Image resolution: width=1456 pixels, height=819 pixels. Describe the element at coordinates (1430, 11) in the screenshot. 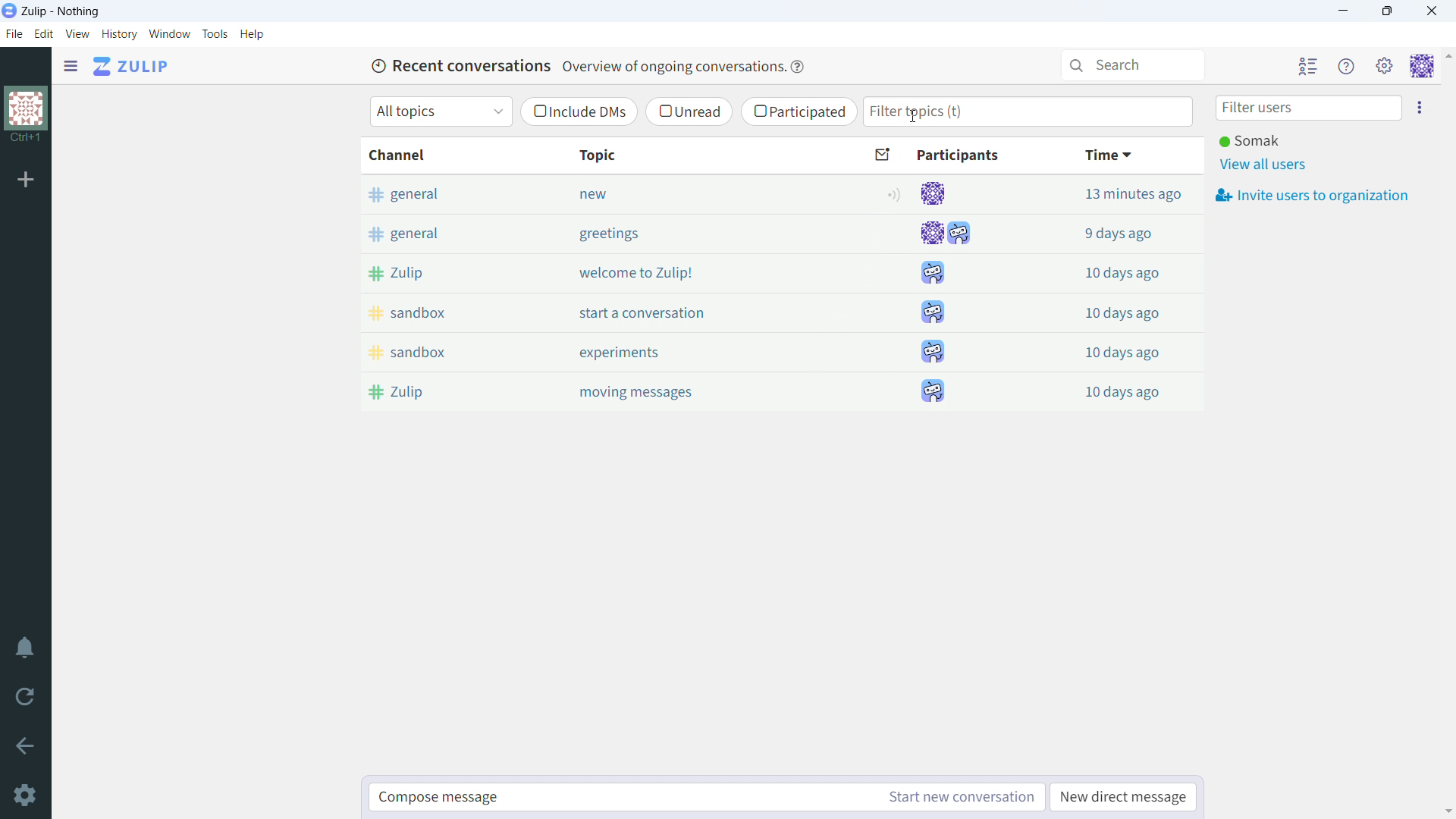

I see `close` at that location.